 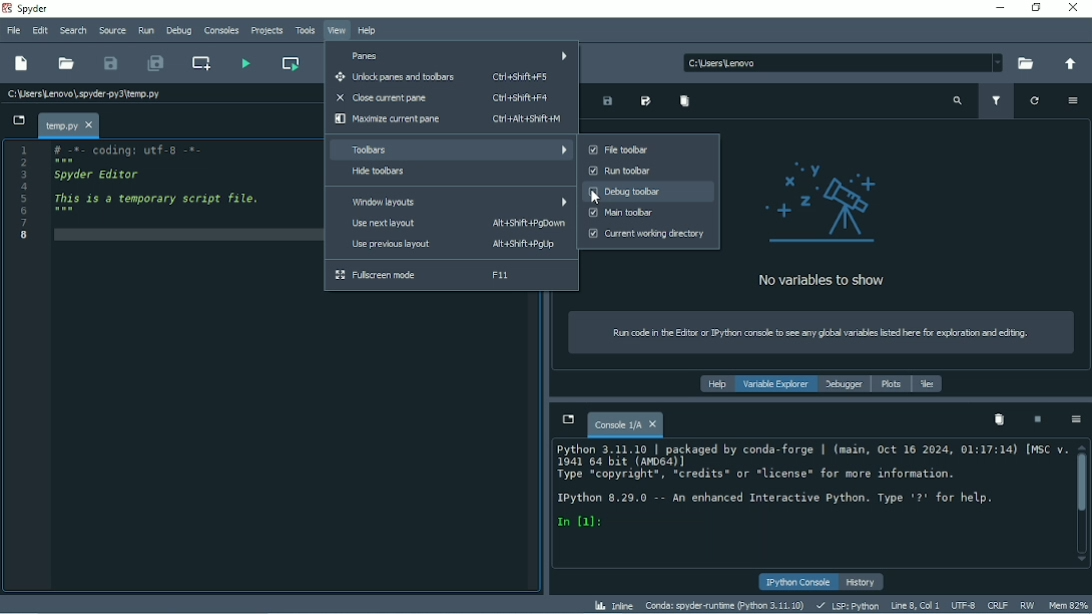 I want to click on Location, so click(x=841, y=62).